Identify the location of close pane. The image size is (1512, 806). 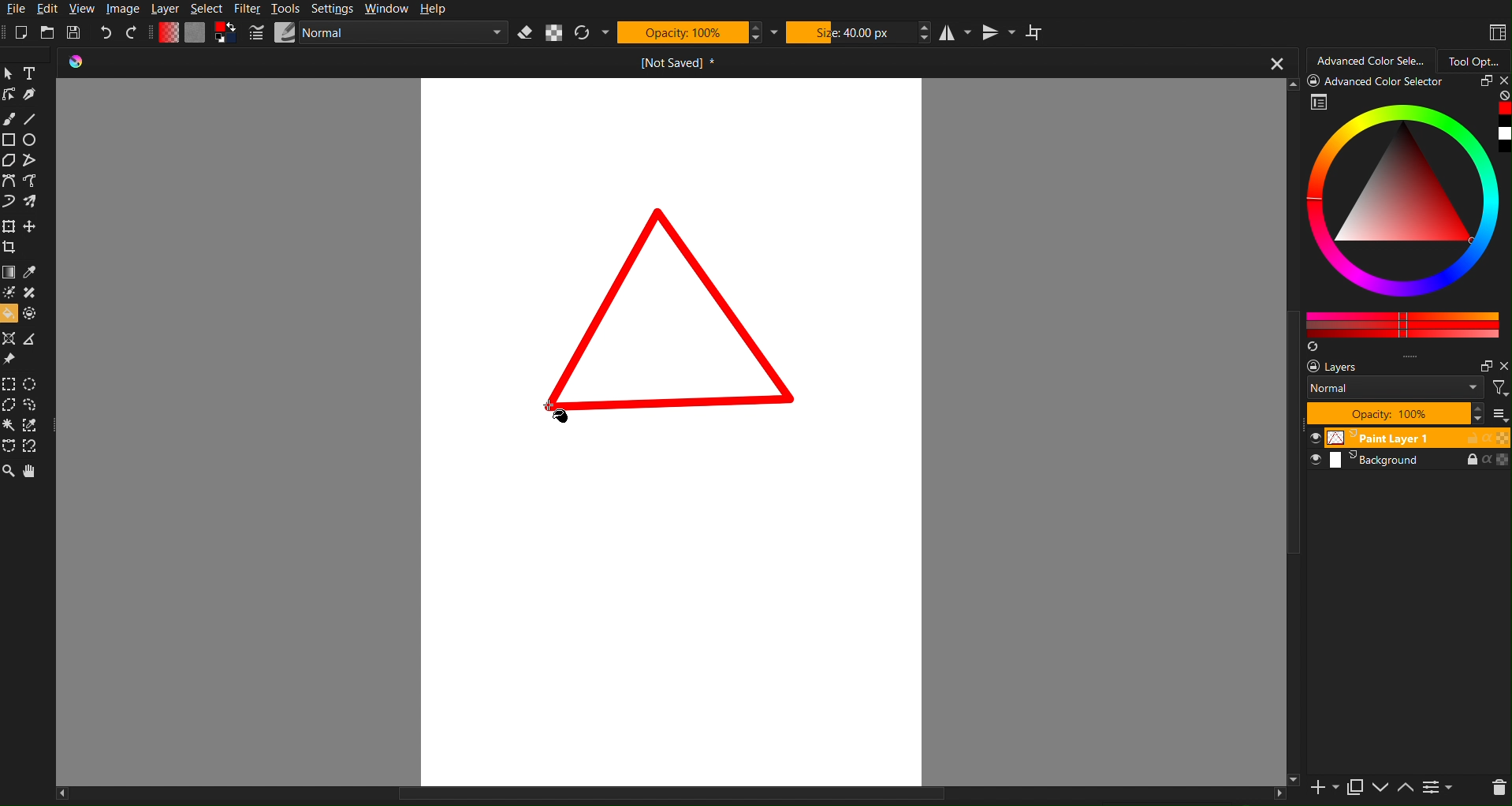
(1503, 366).